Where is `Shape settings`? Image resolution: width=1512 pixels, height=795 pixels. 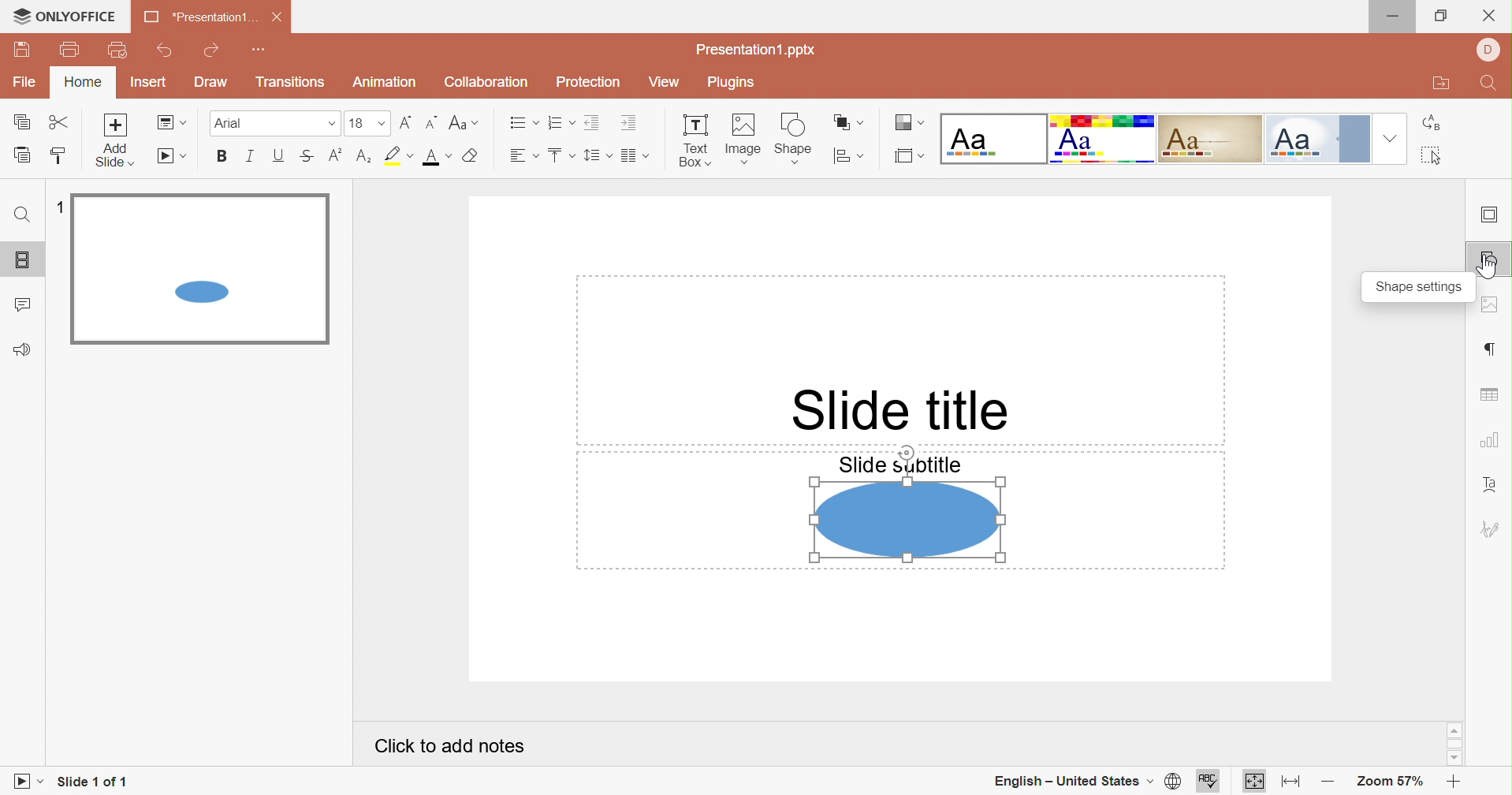
Shape settings is located at coordinates (1421, 288).